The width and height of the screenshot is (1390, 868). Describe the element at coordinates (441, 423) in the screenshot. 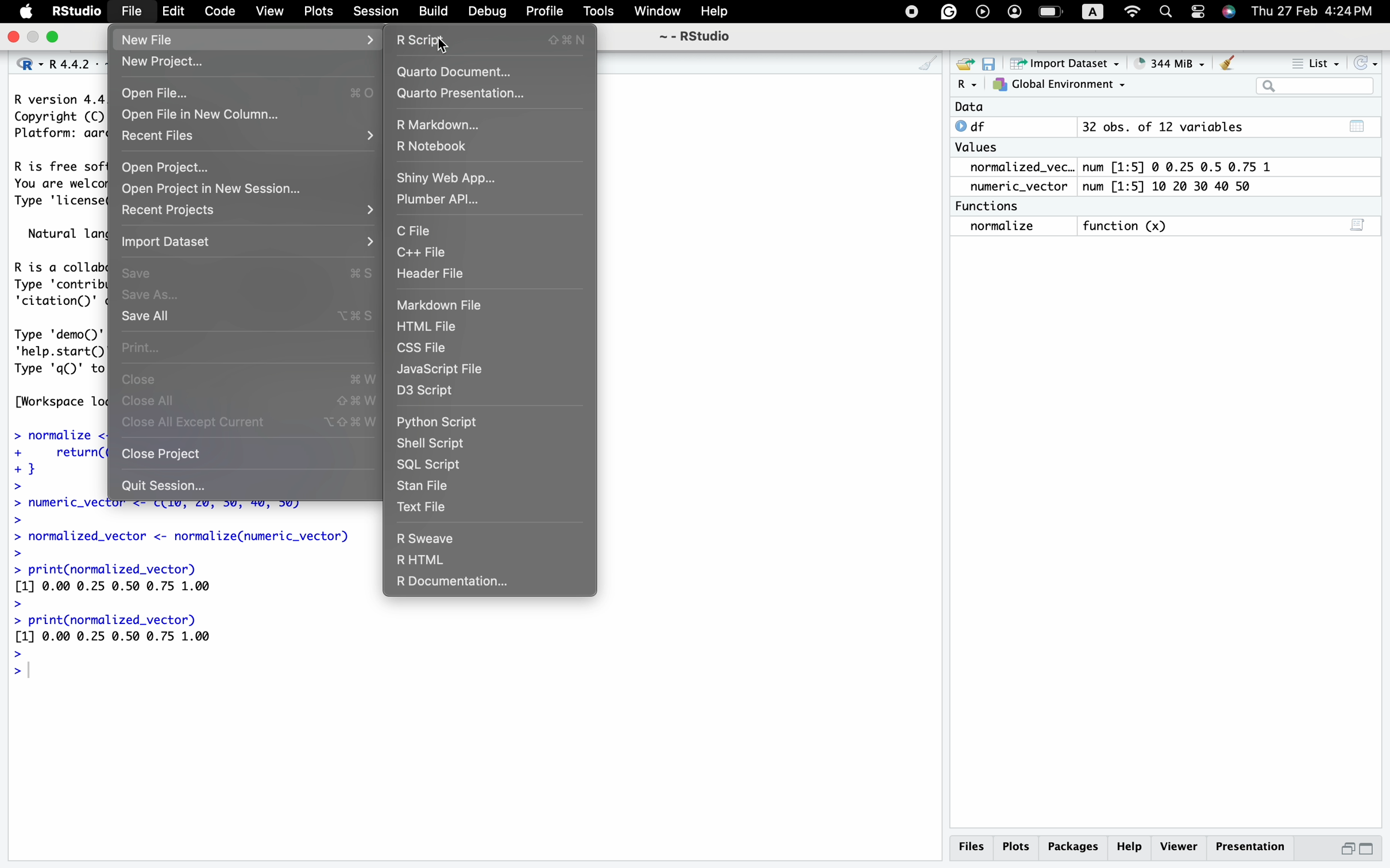

I see `Python Script` at that location.